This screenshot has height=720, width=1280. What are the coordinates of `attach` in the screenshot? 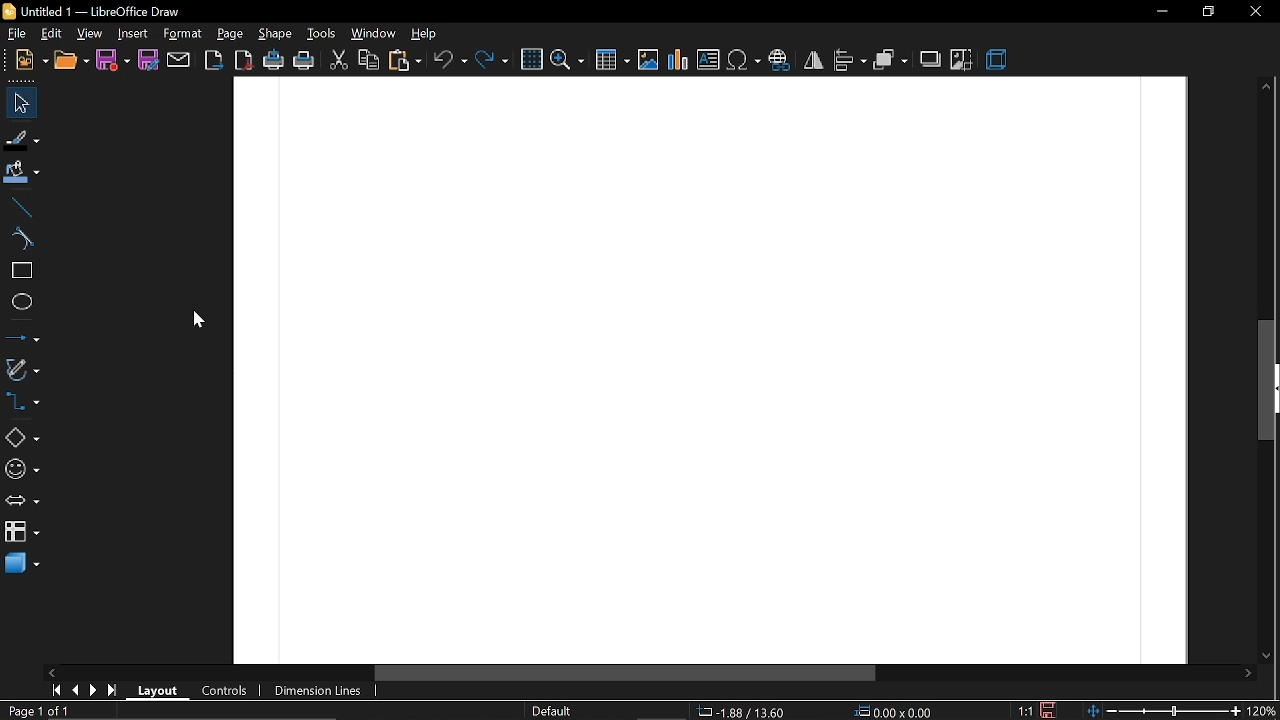 It's located at (179, 59).